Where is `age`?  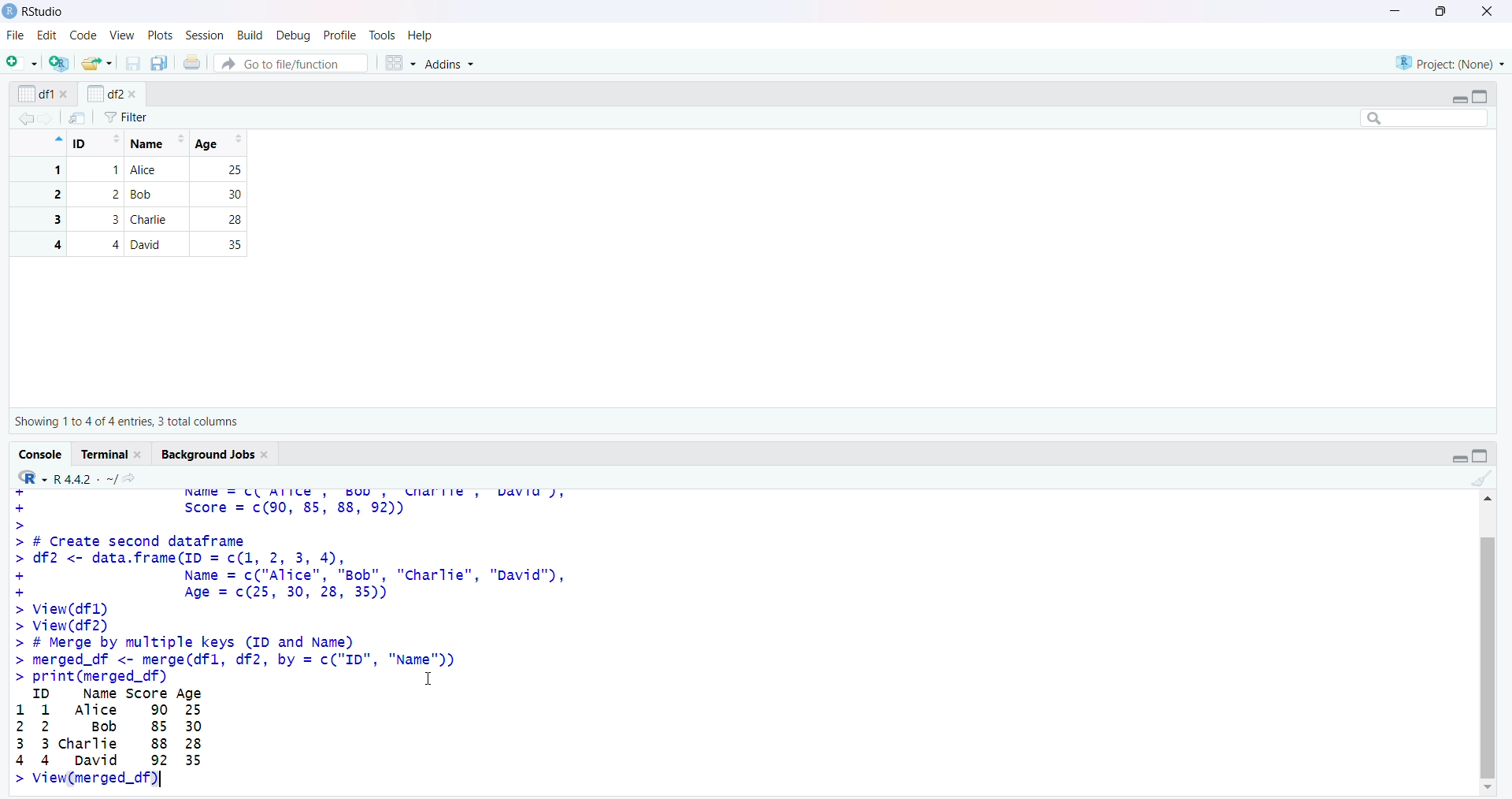
age is located at coordinates (222, 143).